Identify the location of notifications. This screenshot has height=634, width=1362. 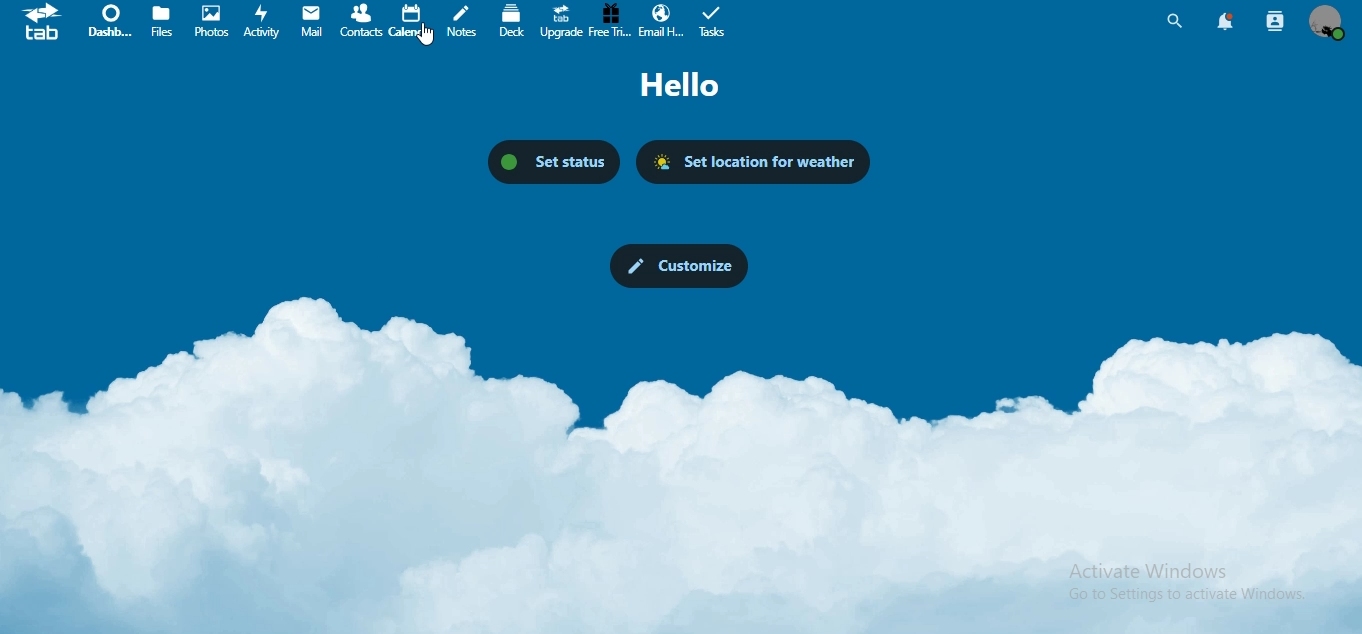
(1222, 21).